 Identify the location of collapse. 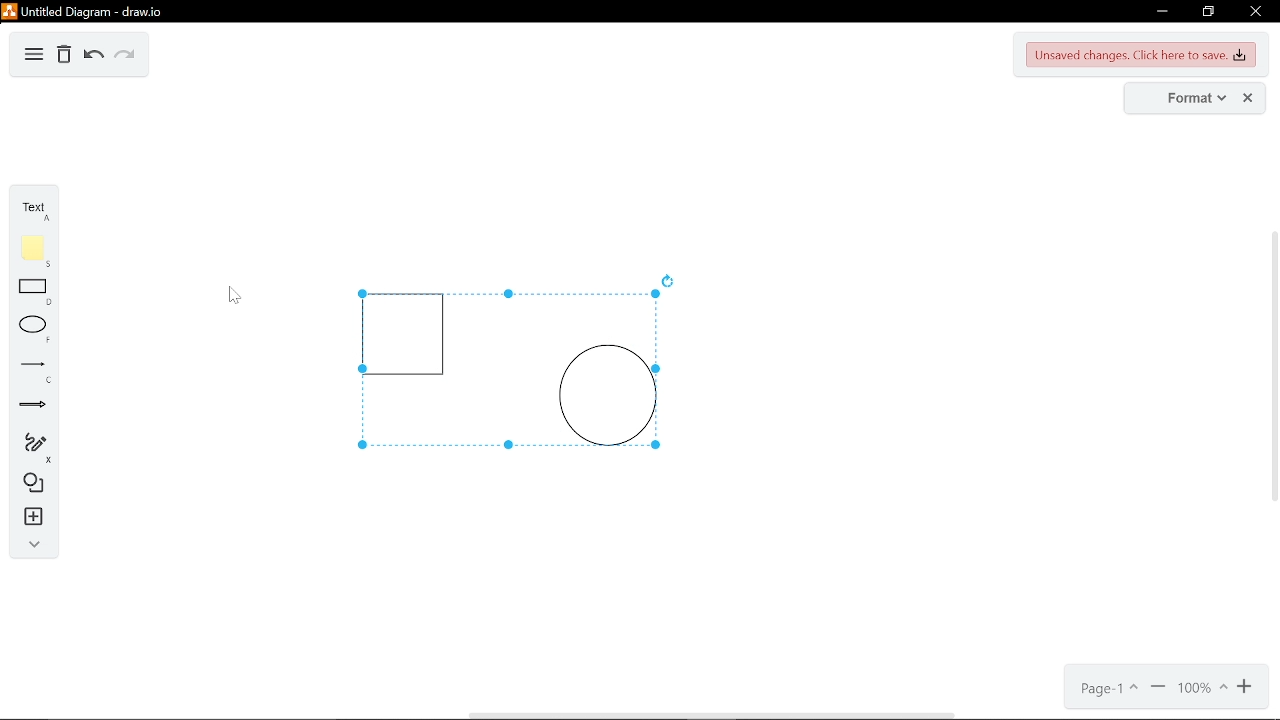
(28, 544).